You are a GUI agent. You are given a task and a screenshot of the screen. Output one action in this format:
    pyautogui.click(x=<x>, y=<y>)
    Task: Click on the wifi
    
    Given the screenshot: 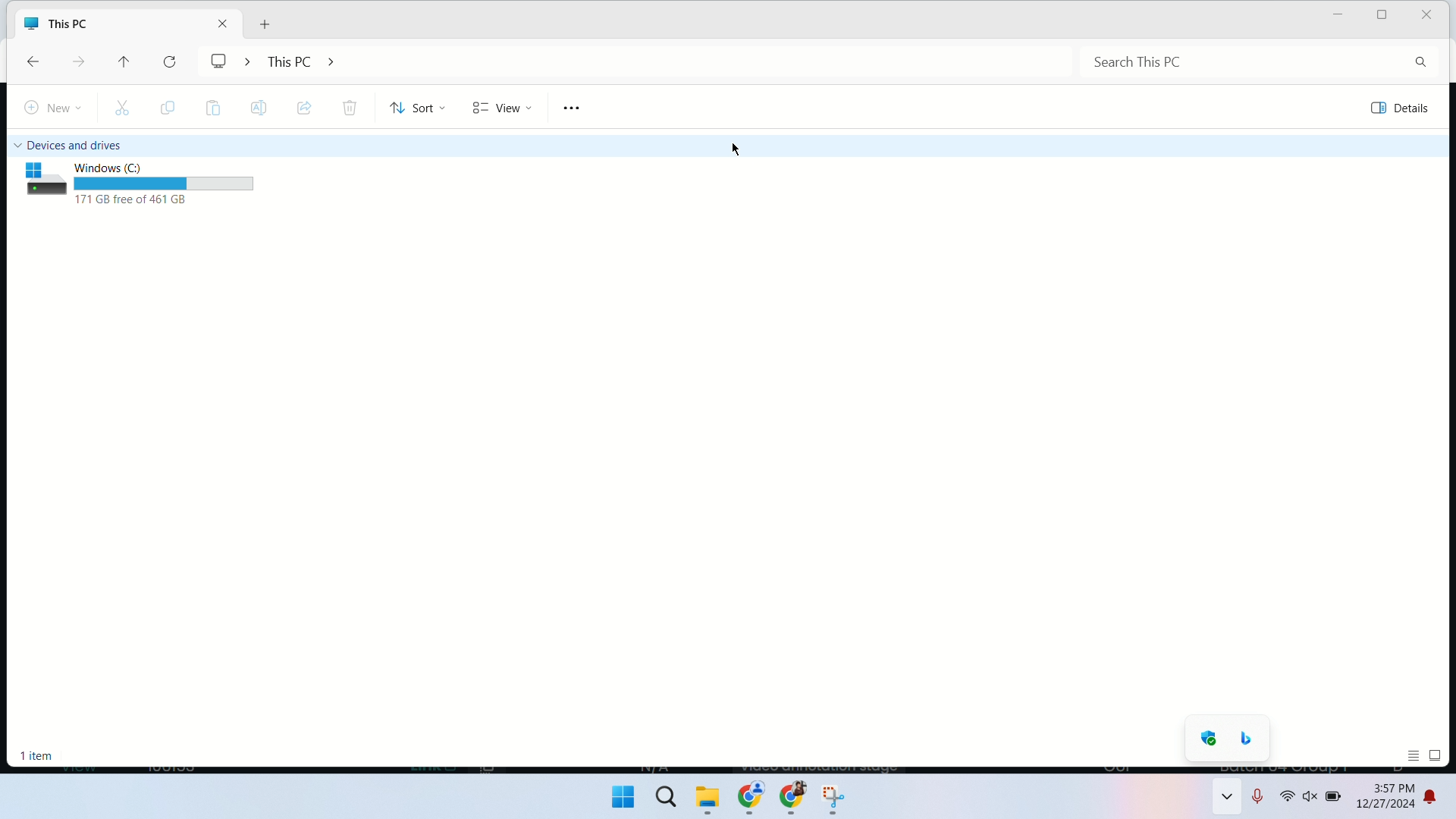 What is the action you would take?
    pyautogui.click(x=1287, y=799)
    